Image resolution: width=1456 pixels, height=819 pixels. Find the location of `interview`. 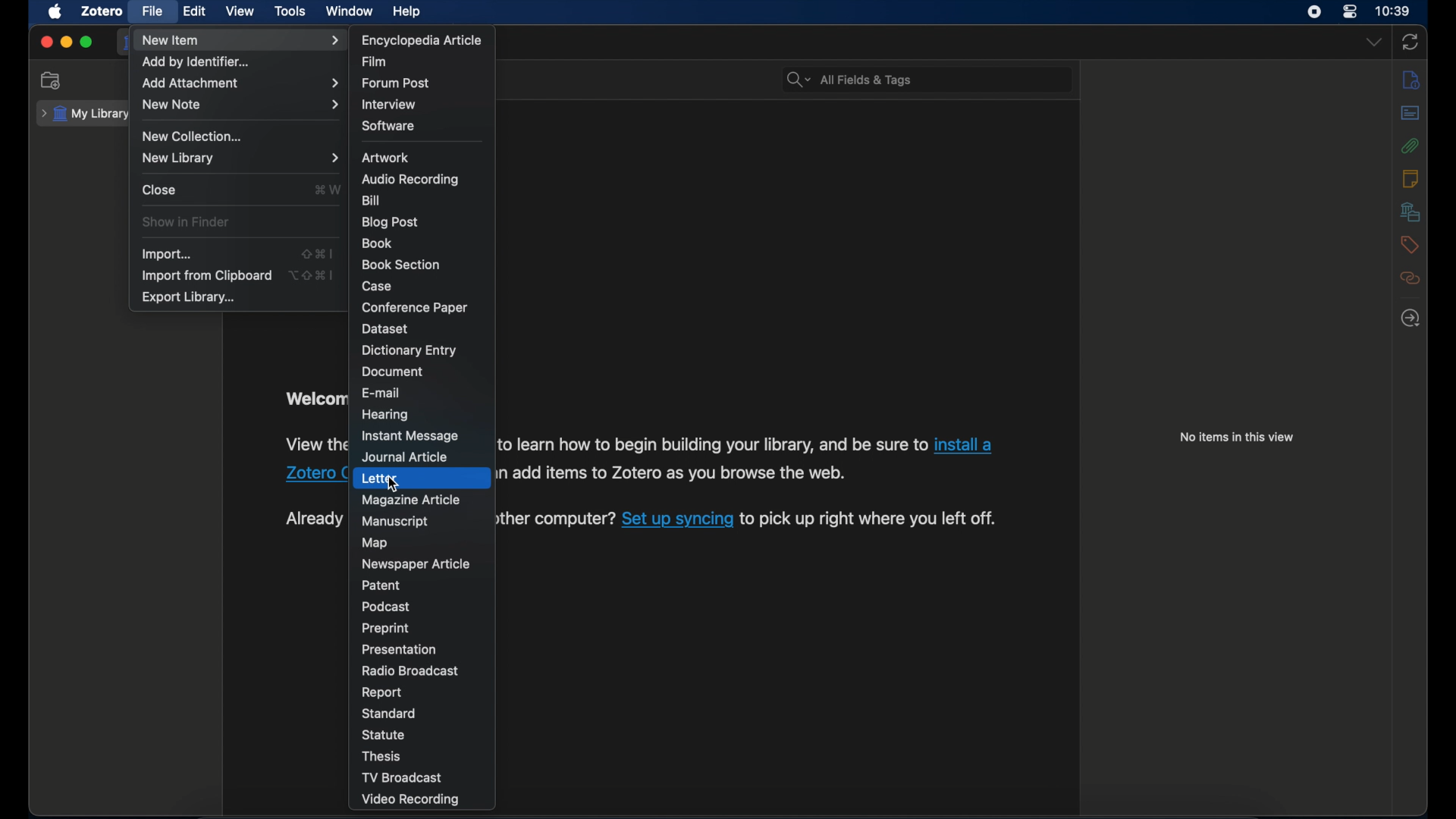

interview is located at coordinates (390, 105).